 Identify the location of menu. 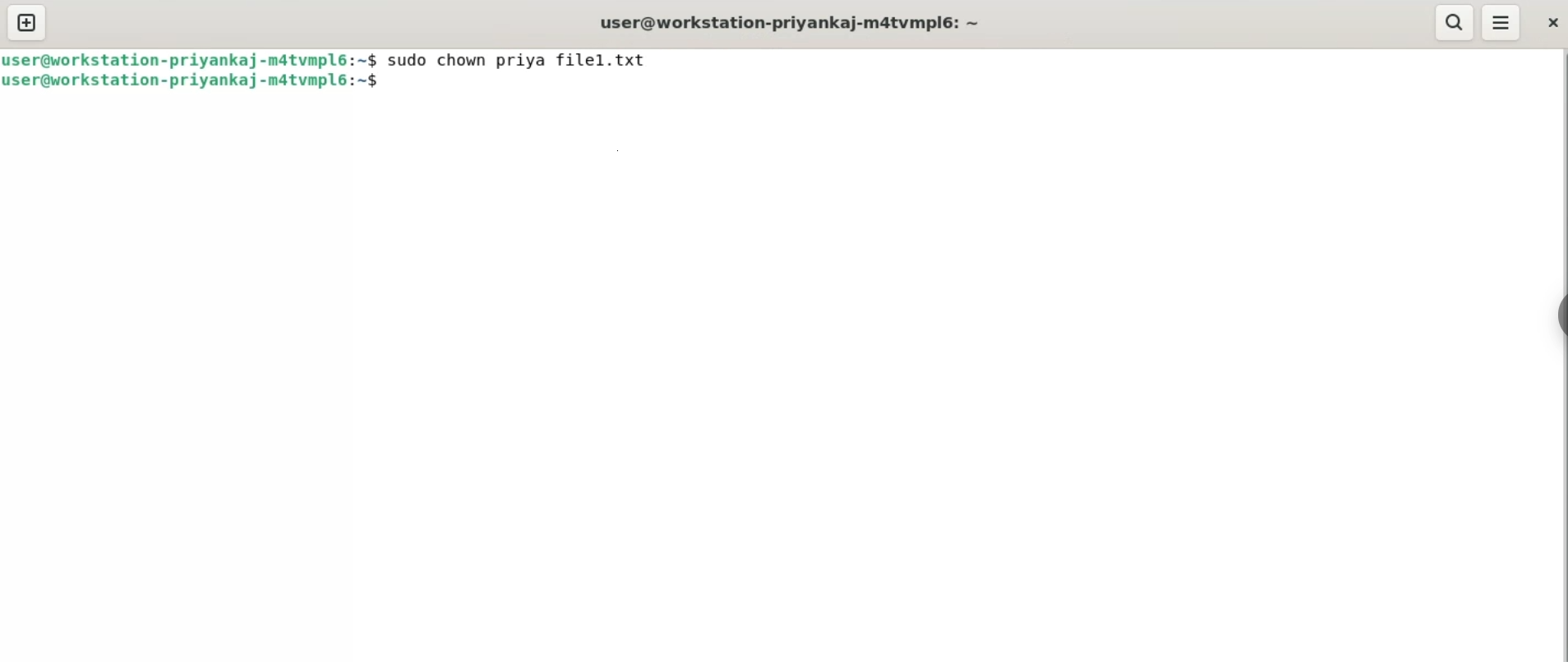
(1500, 22).